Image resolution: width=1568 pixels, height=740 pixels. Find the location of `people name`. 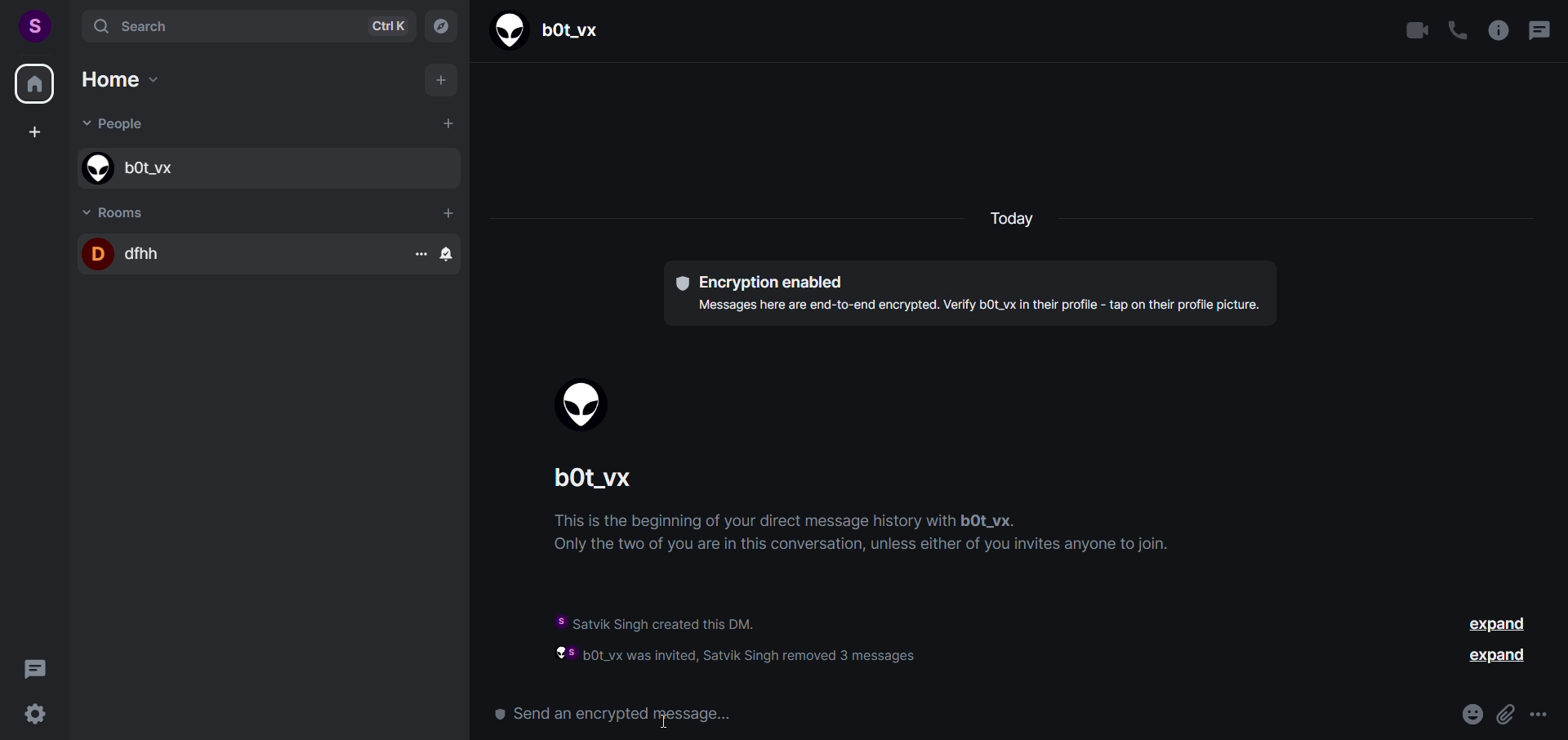

people name is located at coordinates (553, 29).